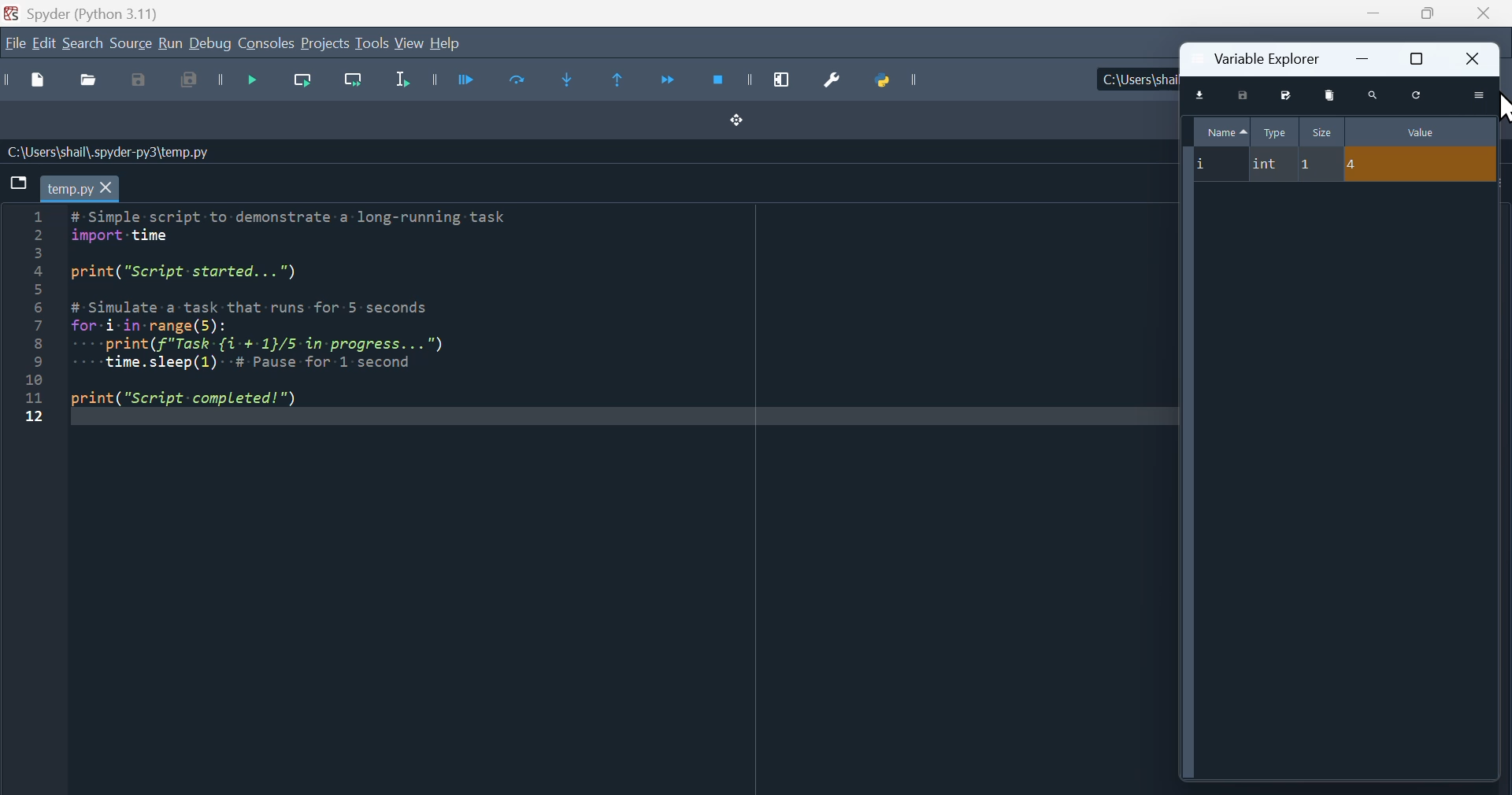 Image resolution: width=1512 pixels, height=795 pixels. I want to click on Run current line and go to the next one, so click(352, 85).